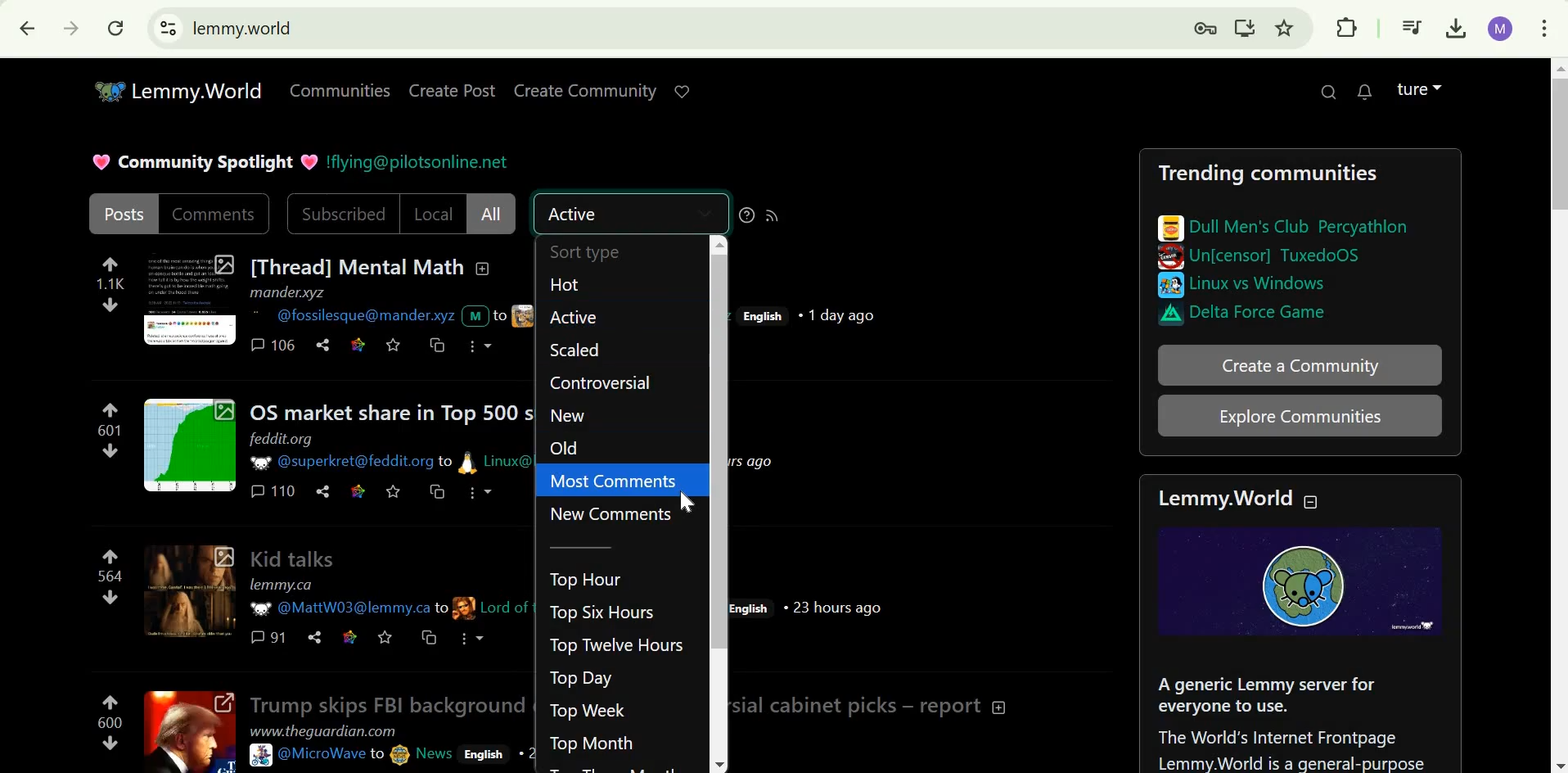 The height and width of the screenshot is (773, 1568). I want to click on Manage your passwords, so click(1207, 29).